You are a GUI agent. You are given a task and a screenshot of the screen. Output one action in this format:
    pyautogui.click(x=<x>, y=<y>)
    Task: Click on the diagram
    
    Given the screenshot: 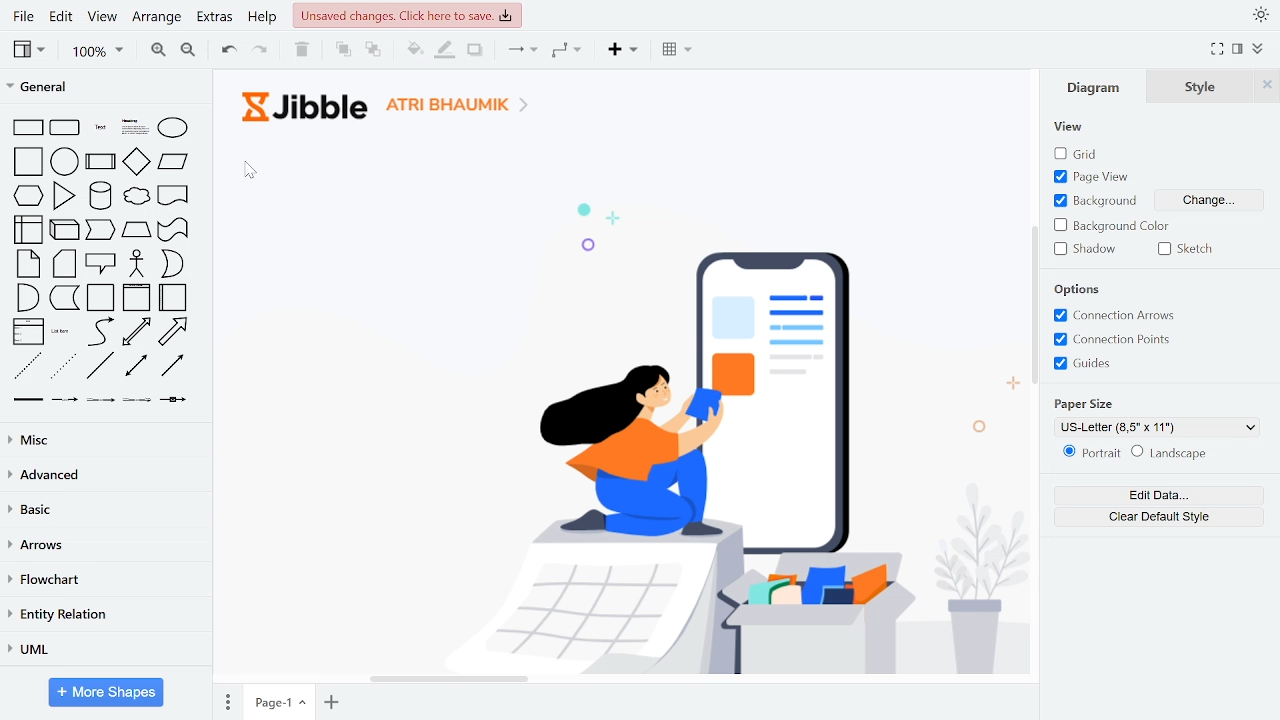 What is the action you would take?
    pyautogui.click(x=1102, y=88)
    